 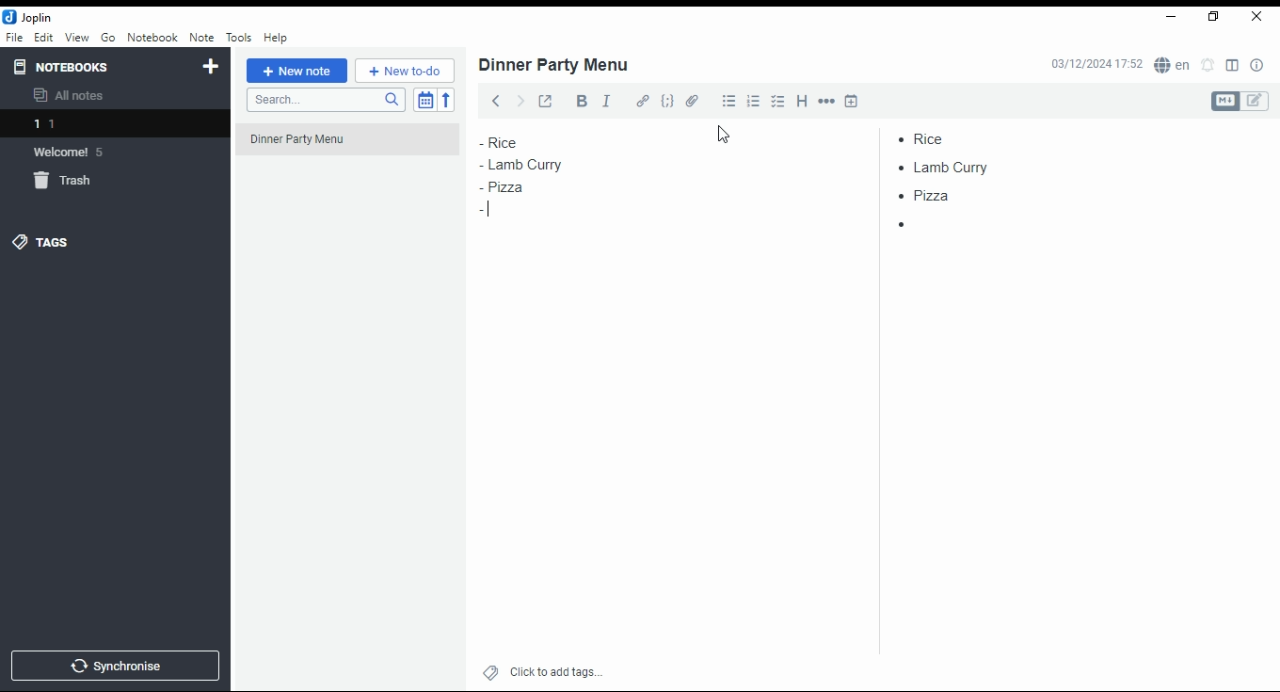 I want to click on note, so click(x=200, y=38).